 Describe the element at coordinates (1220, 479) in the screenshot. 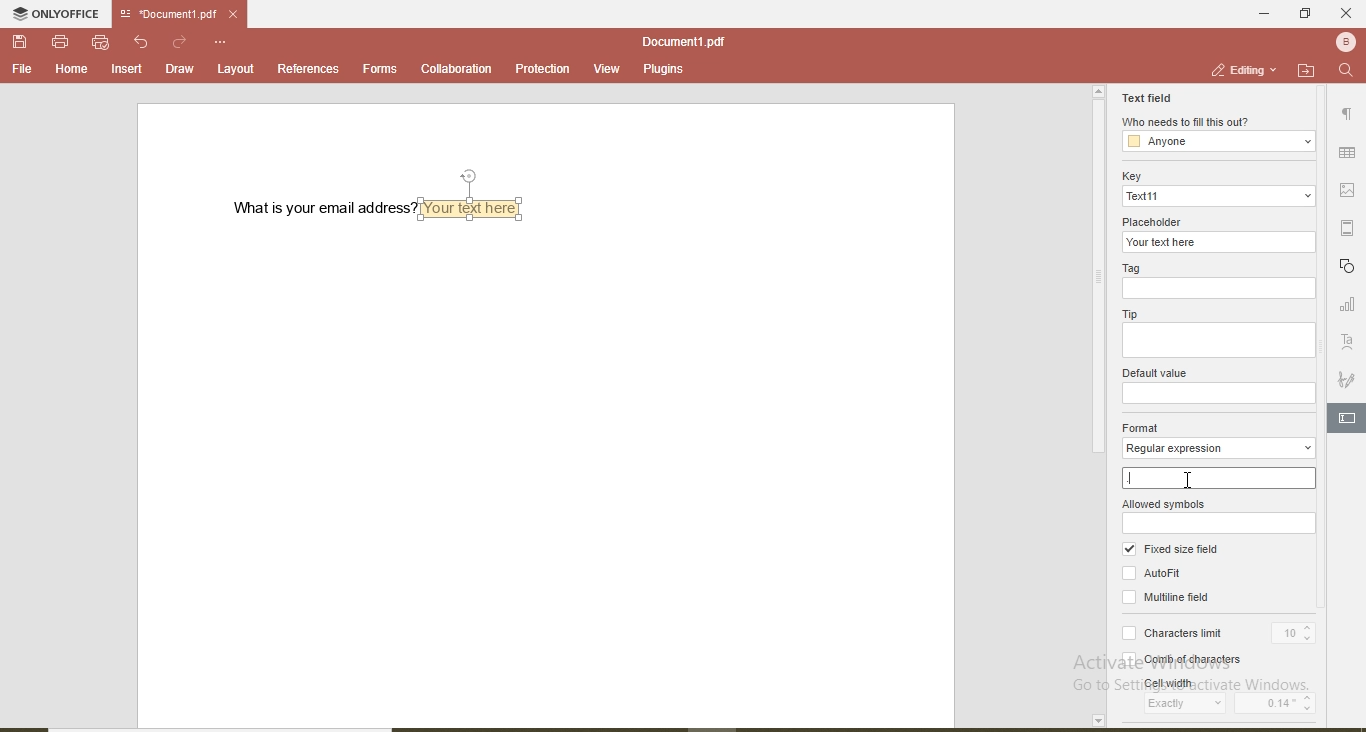

I see `.` at that location.